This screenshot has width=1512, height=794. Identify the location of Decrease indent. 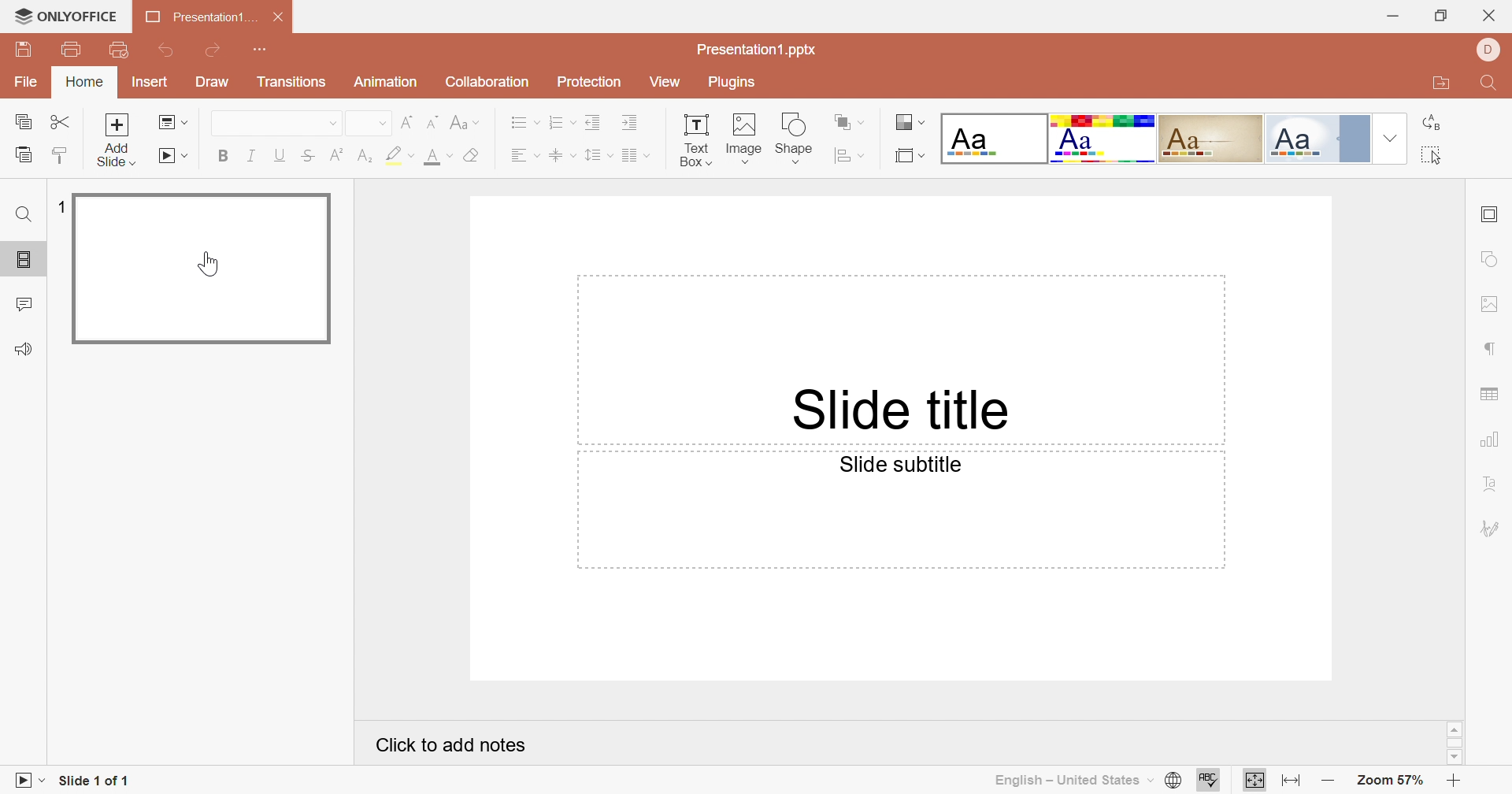
(598, 120).